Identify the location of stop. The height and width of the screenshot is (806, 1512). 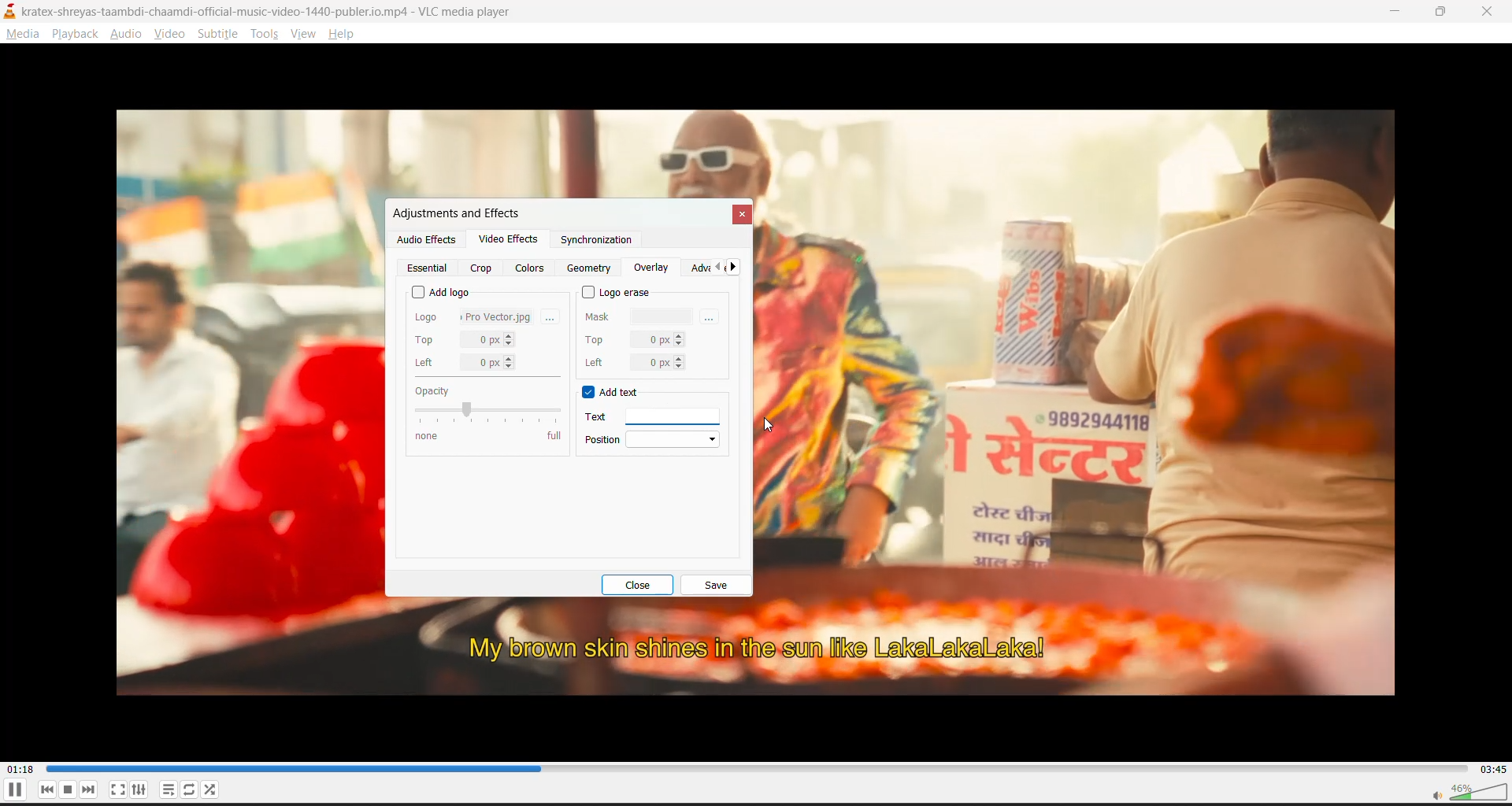
(71, 789).